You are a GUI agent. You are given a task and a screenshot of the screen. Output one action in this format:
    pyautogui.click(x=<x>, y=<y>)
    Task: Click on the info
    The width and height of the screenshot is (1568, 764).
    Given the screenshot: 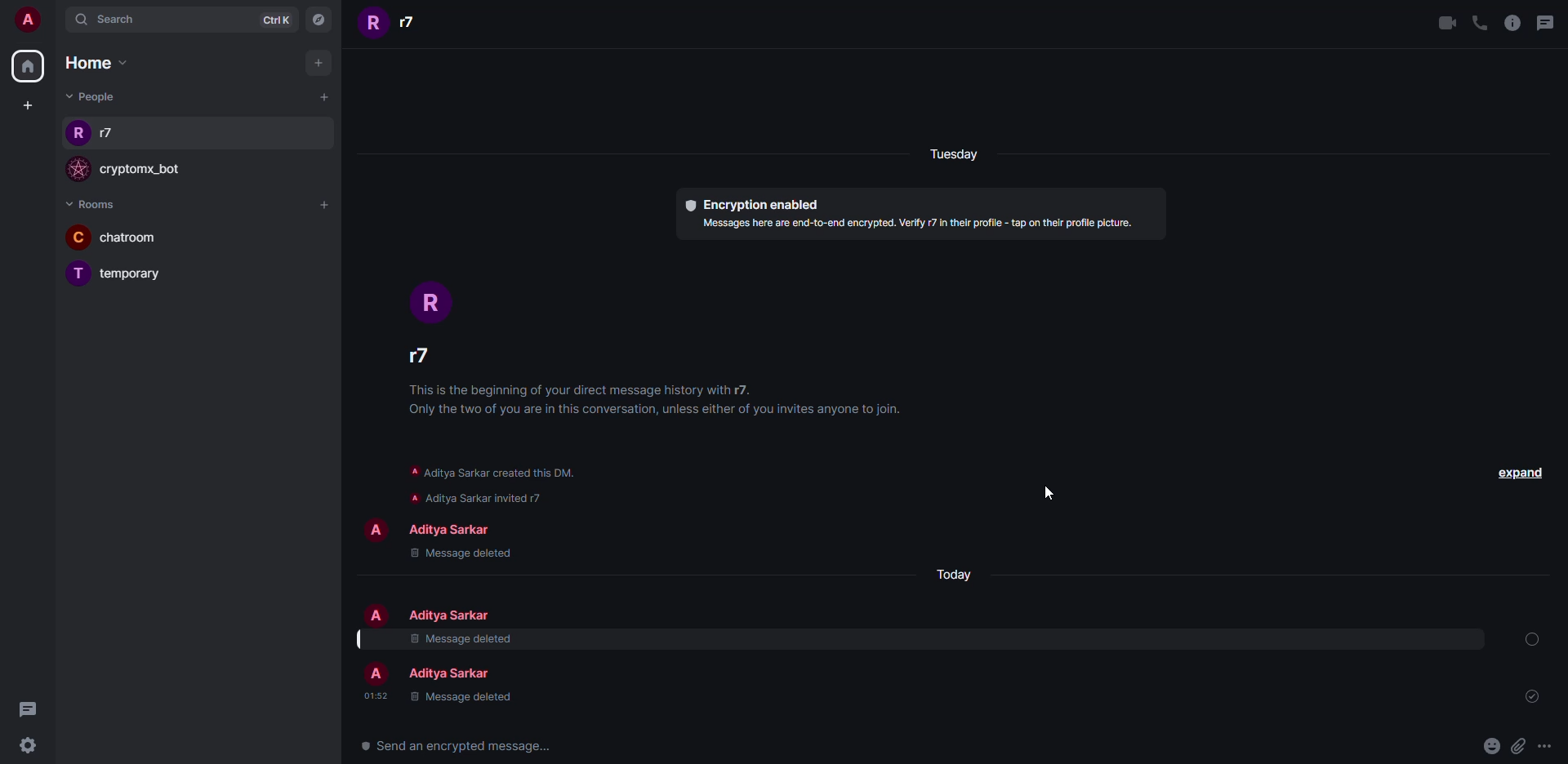 What is the action you would take?
    pyautogui.click(x=497, y=485)
    